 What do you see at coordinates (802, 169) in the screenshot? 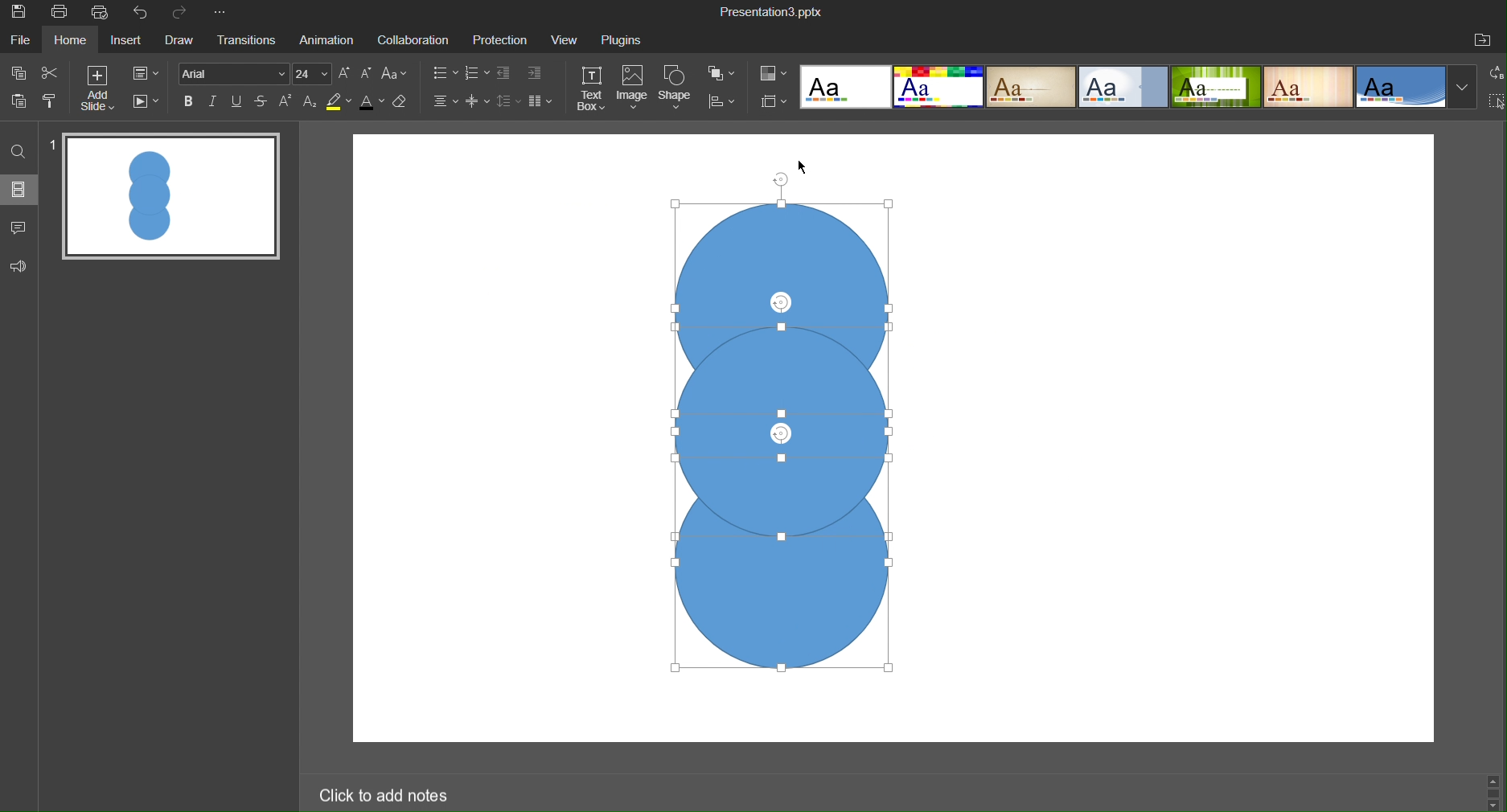
I see `cursor` at bounding box center [802, 169].